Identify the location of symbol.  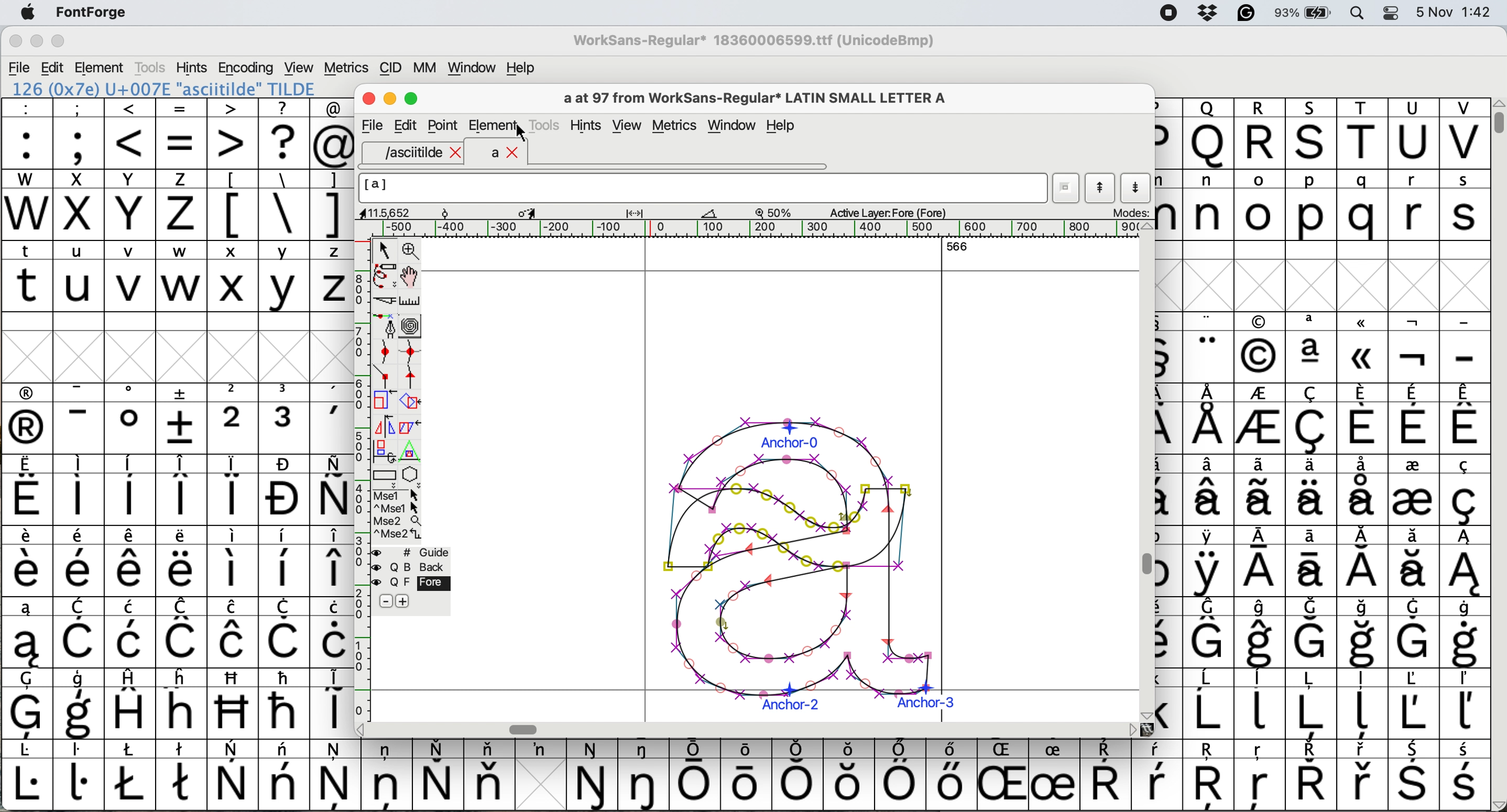
(1364, 562).